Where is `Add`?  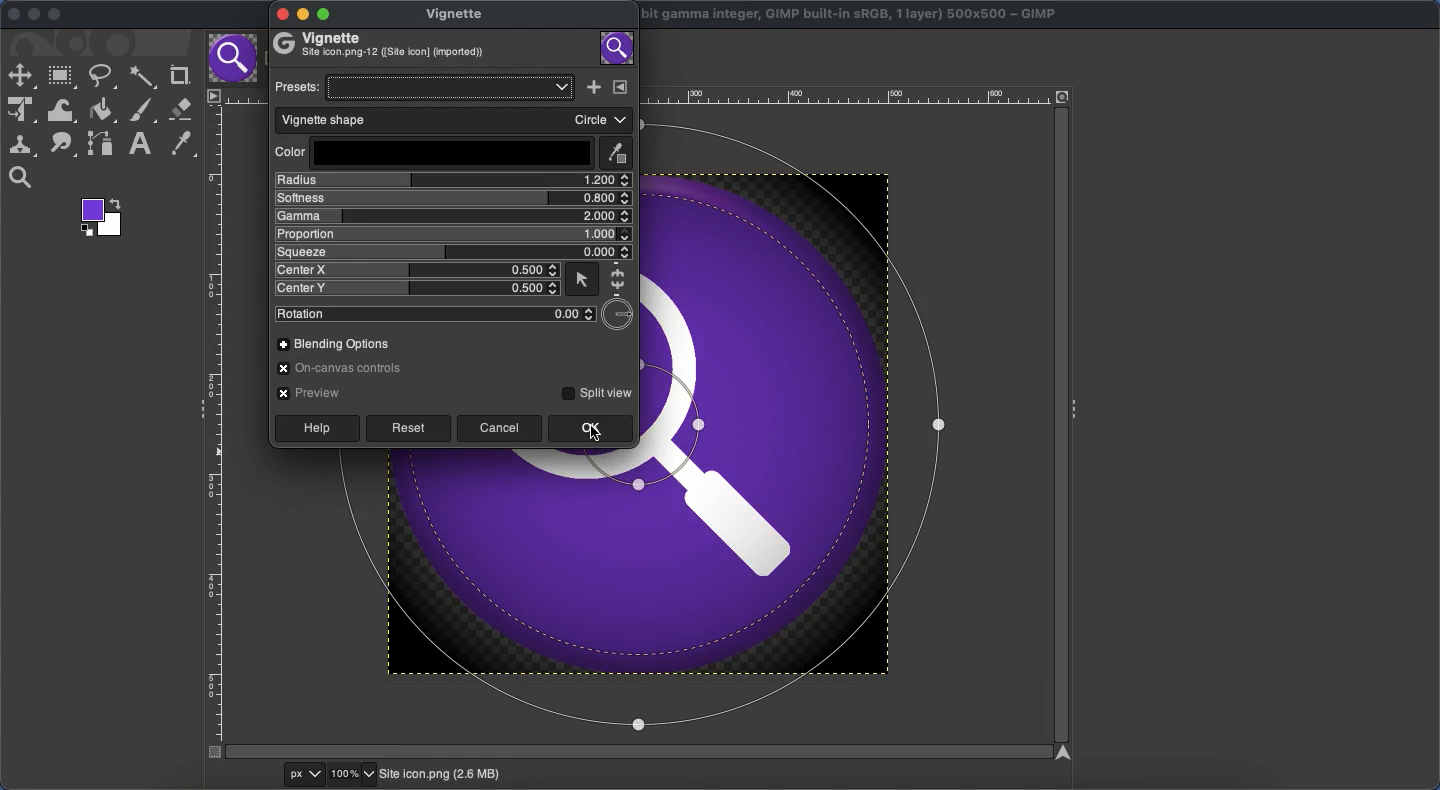 Add is located at coordinates (592, 87).